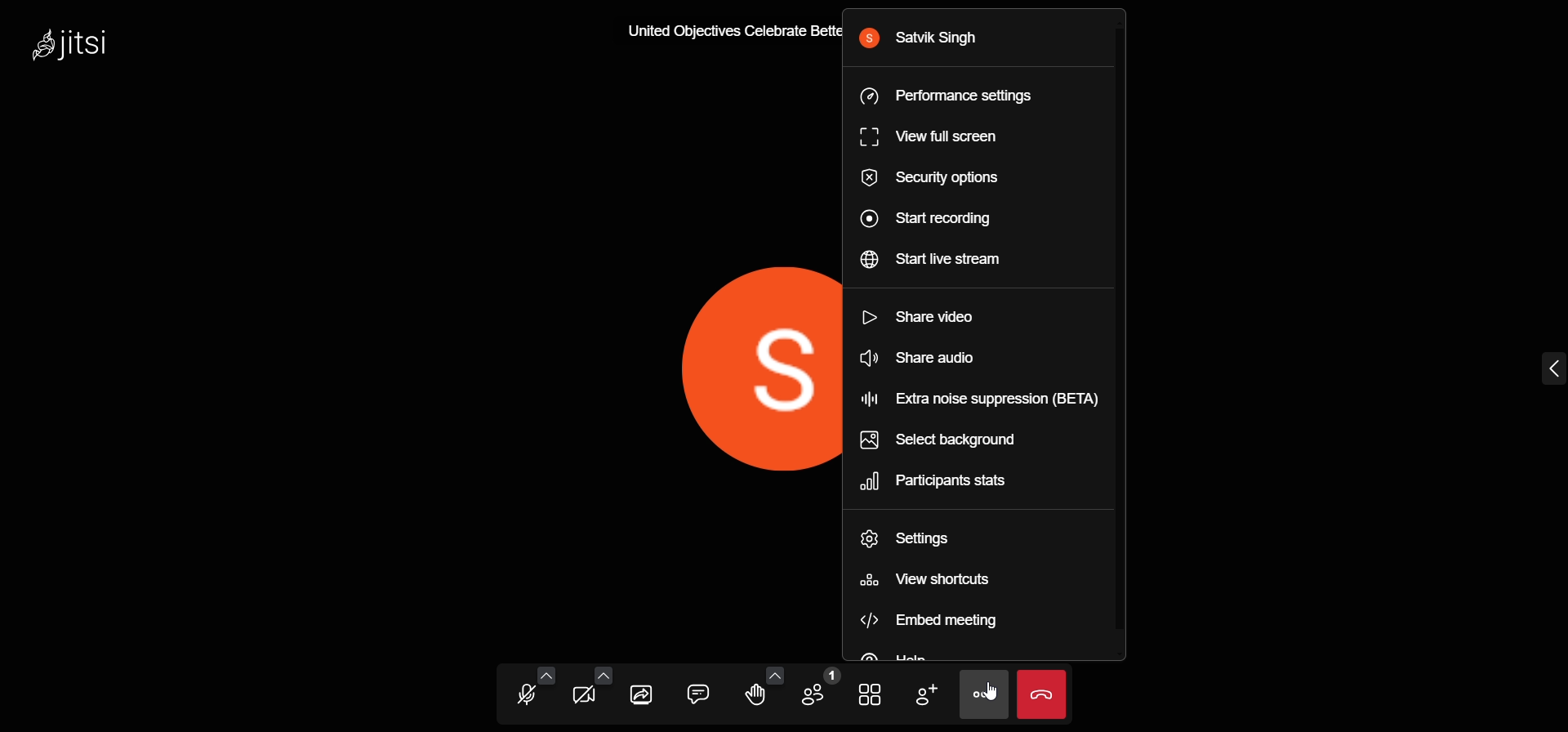 The image size is (1568, 732). What do you see at coordinates (79, 47) in the screenshot?
I see `Jitsi` at bounding box center [79, 47].